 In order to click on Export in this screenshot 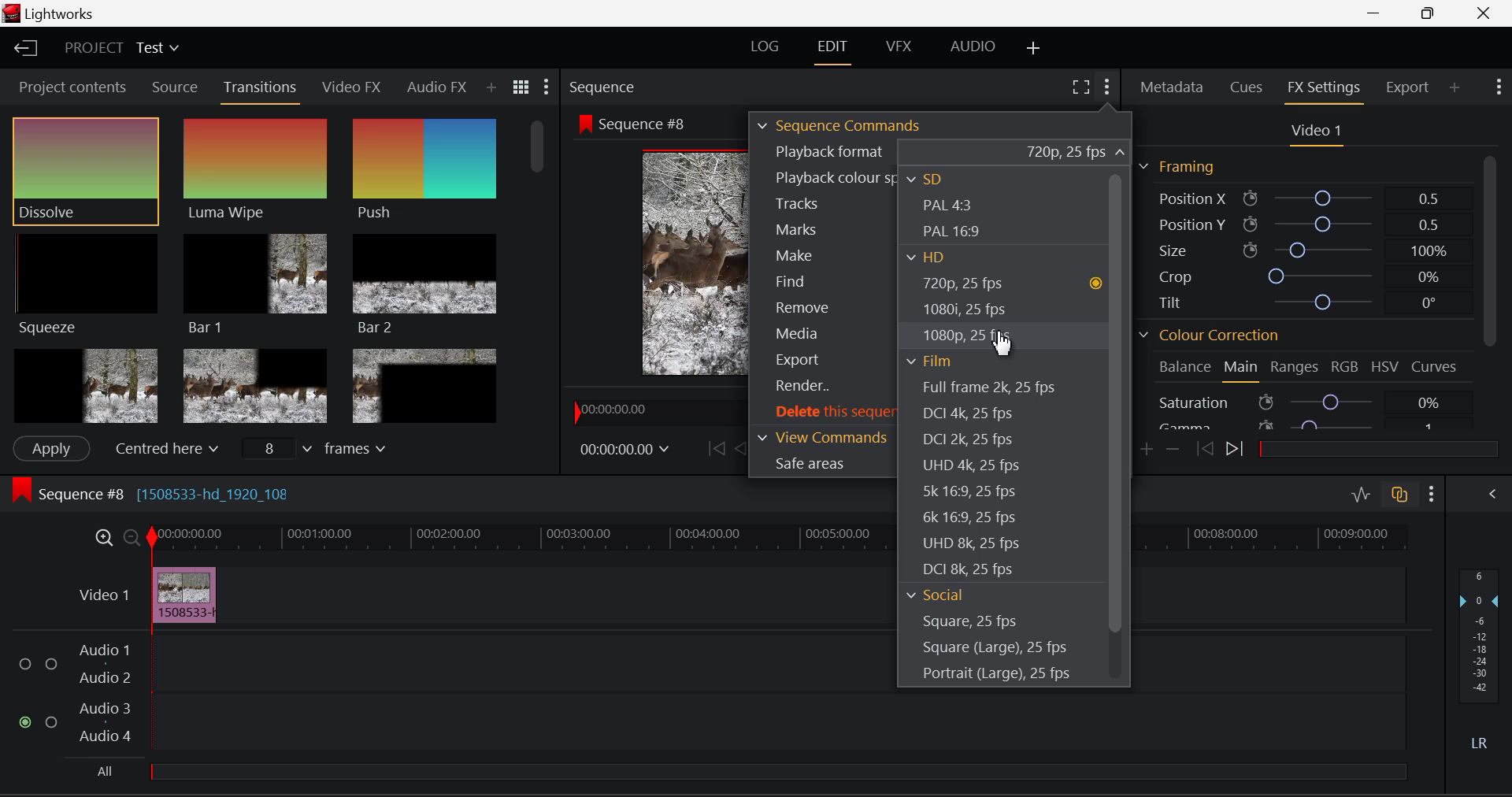, I will do `click(822, 358)`.